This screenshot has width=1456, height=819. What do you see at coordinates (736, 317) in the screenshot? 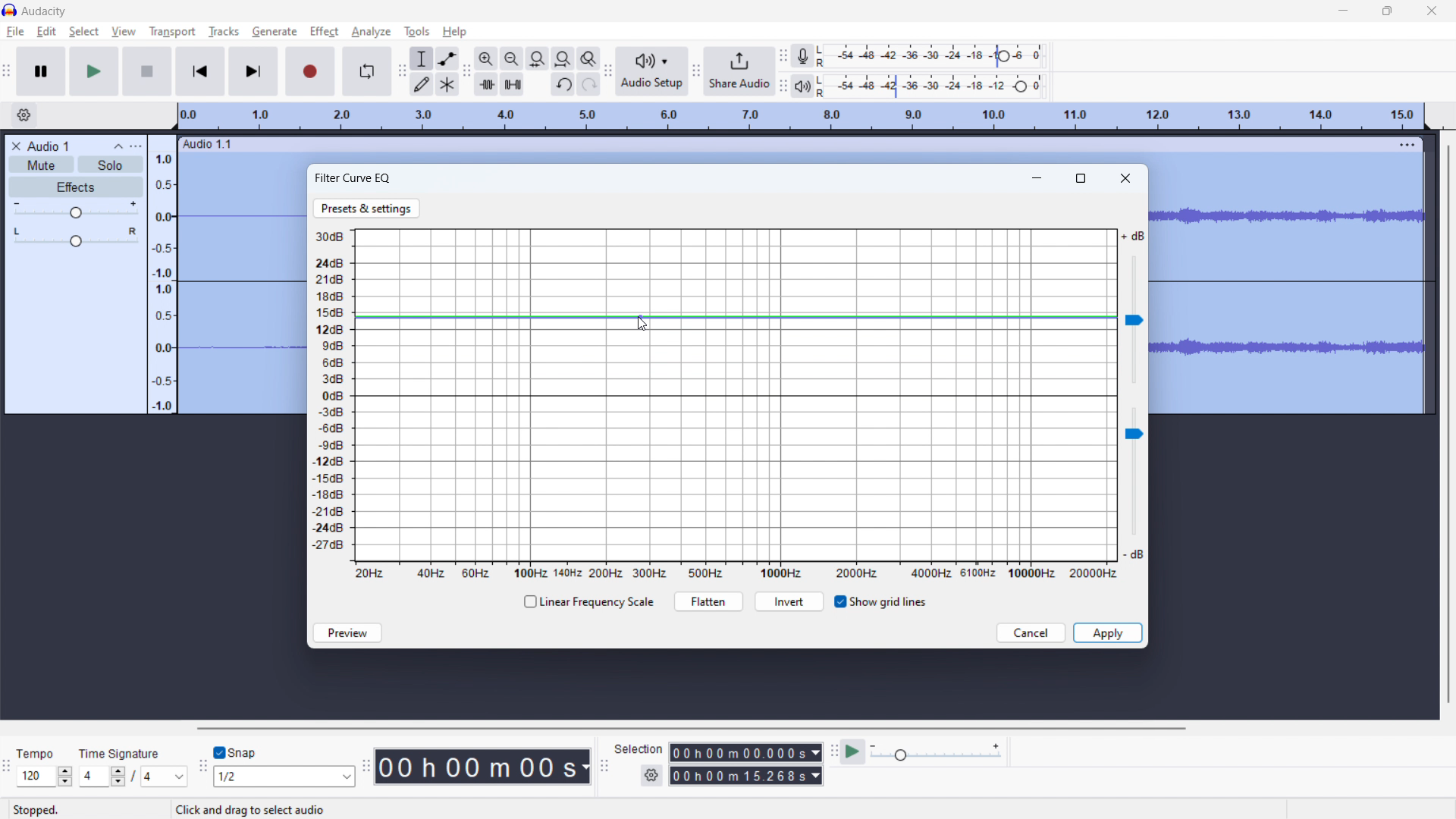
I see `EQ line moved` at bounding box center [736, 317].